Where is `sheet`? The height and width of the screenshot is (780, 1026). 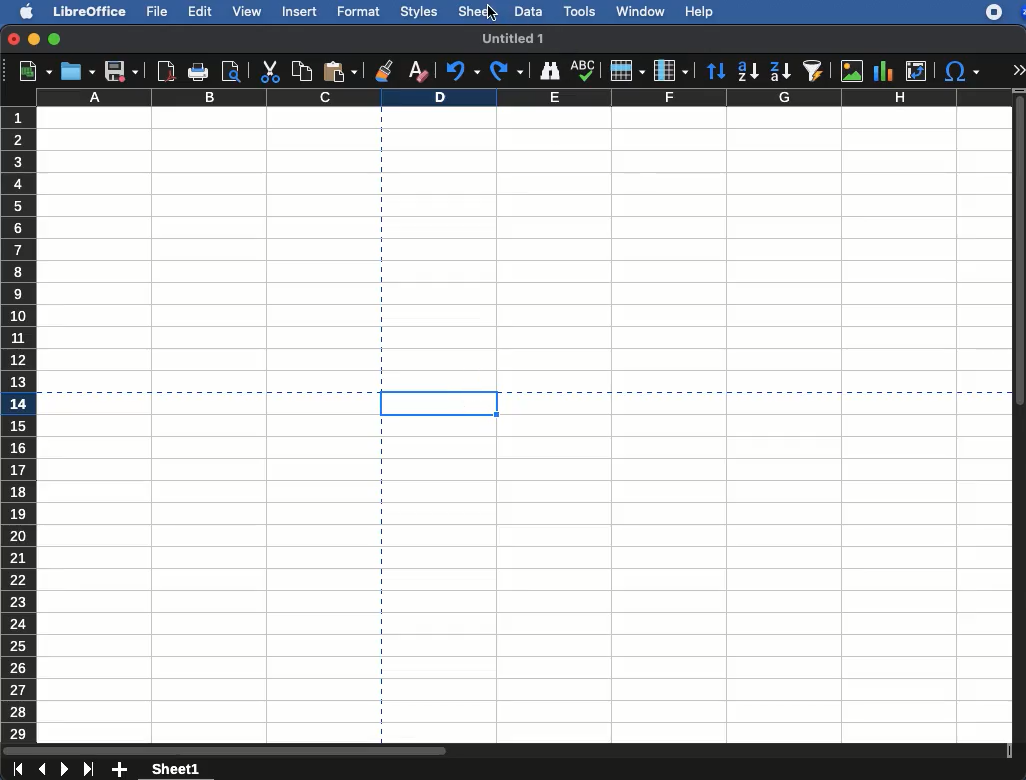
sheet is located at coordinates (477, 12).